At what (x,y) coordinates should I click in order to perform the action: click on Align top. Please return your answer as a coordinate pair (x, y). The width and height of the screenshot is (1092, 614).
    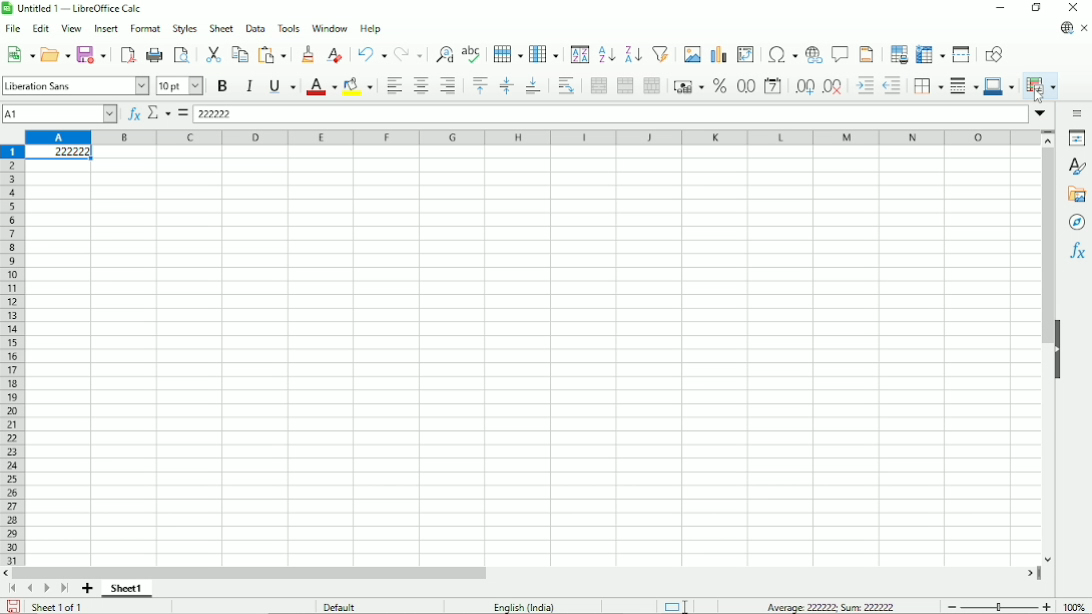
    Looking at the image, I should click on (479, 86).